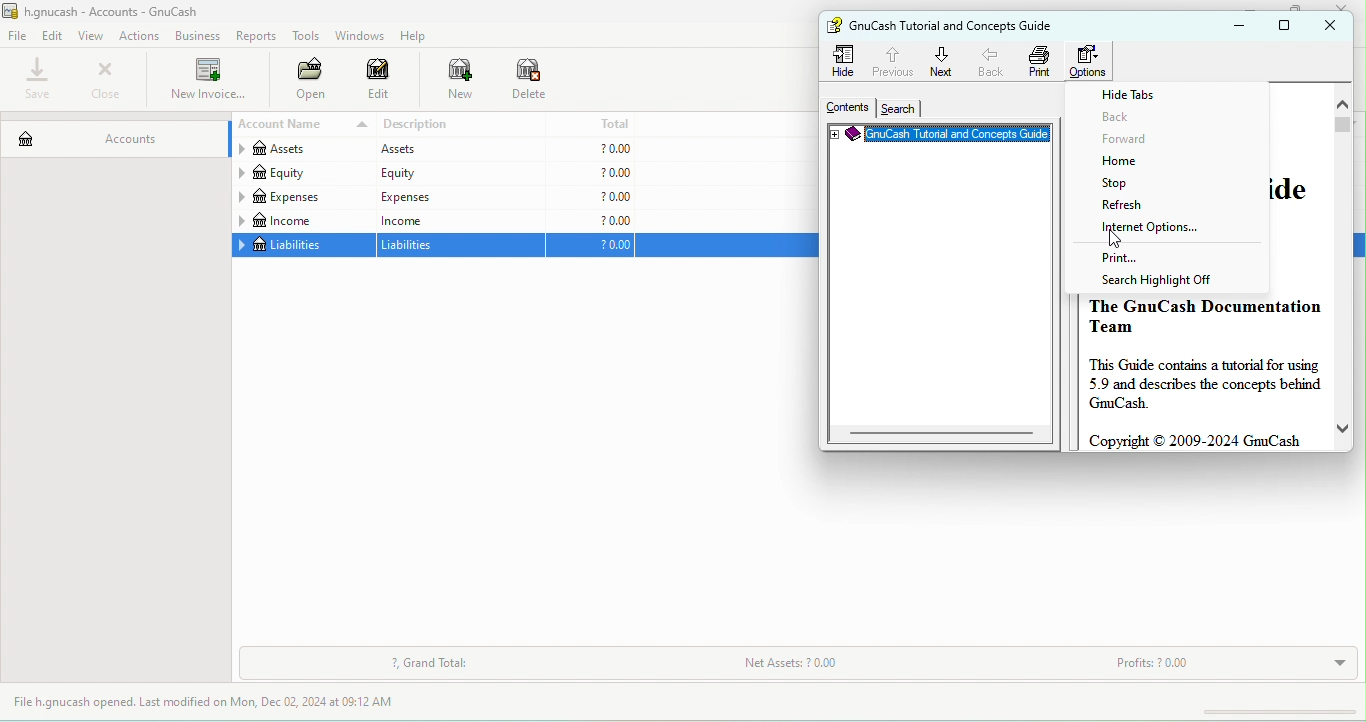  I want to click on file h.gnucash opened last modified on mon, dec 02,2024 at 09.12 am, so click(219, 703).